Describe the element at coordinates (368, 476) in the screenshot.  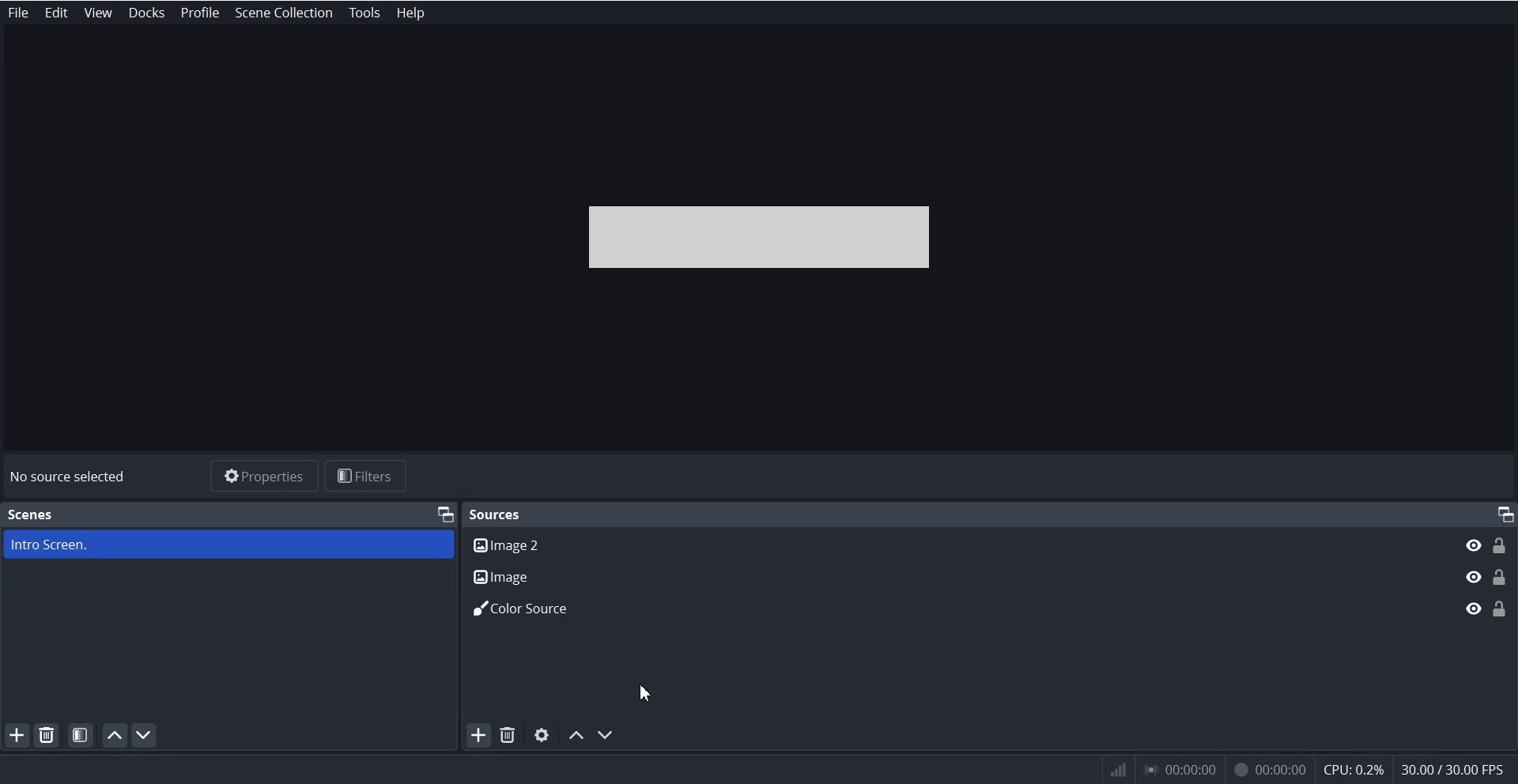
I see `Filters` at that location.